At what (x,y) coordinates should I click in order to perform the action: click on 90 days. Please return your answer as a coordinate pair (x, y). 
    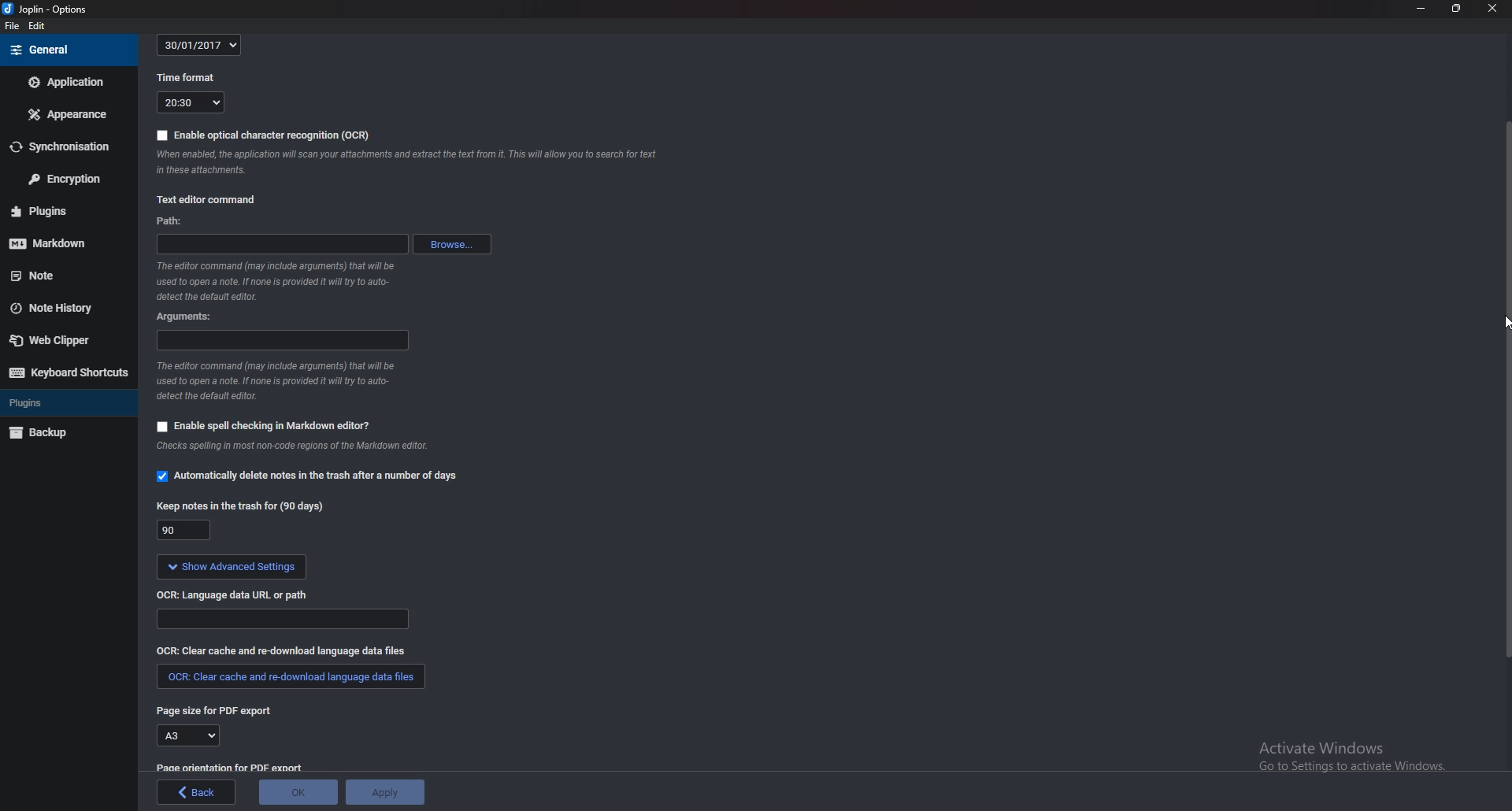
    Looking at the image, I should click on (184, 531).